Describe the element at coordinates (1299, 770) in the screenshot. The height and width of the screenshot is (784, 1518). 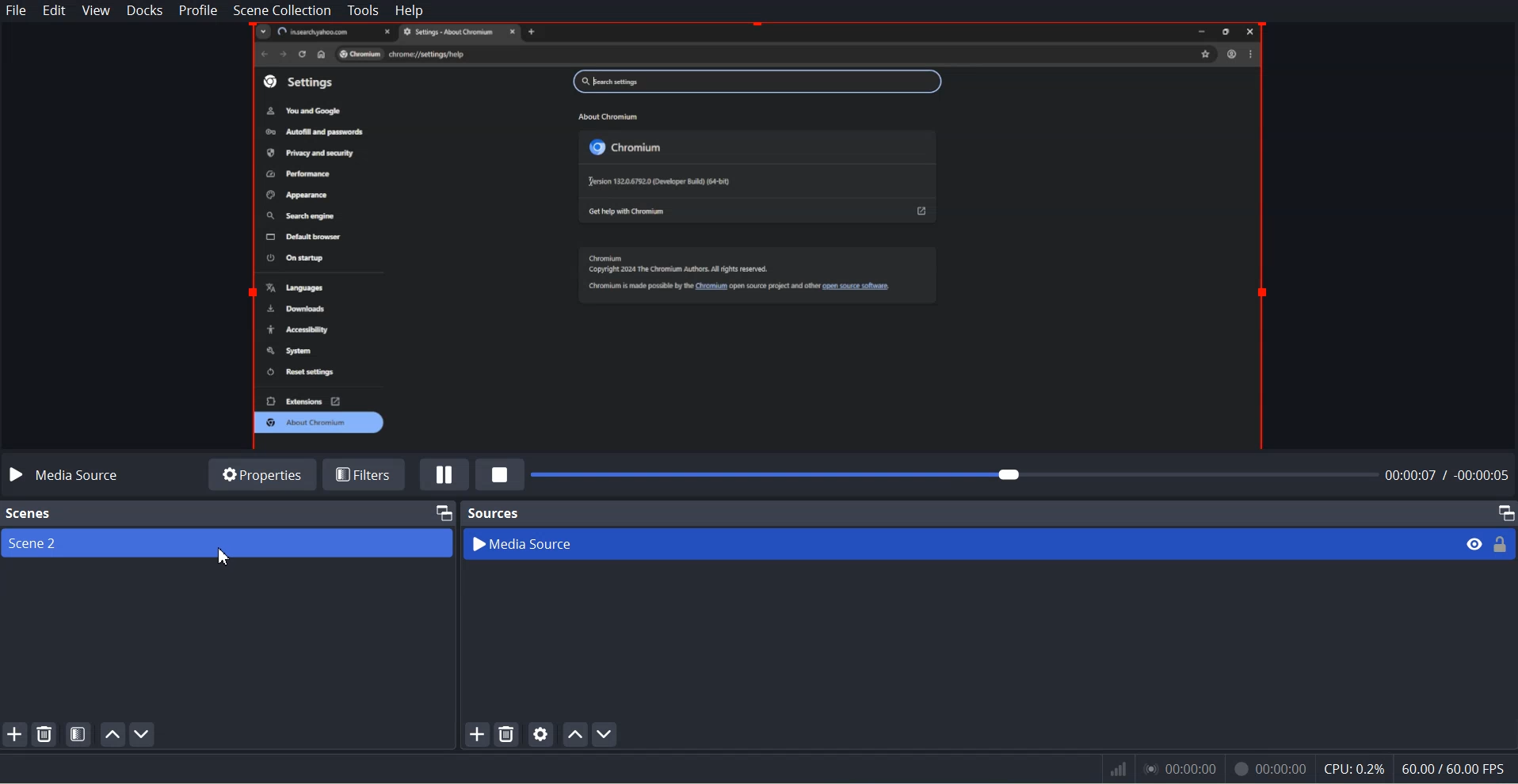
I see `Information Display` at that location.